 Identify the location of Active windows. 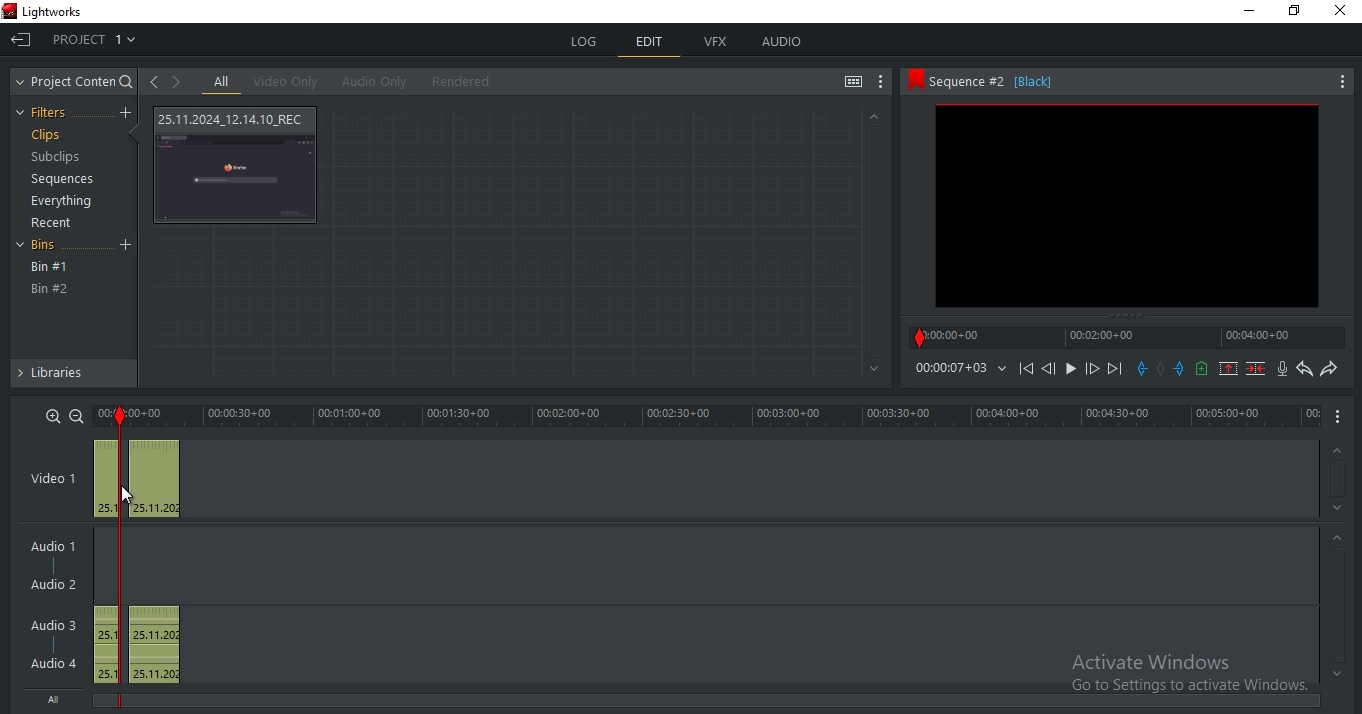
(1181, 669).